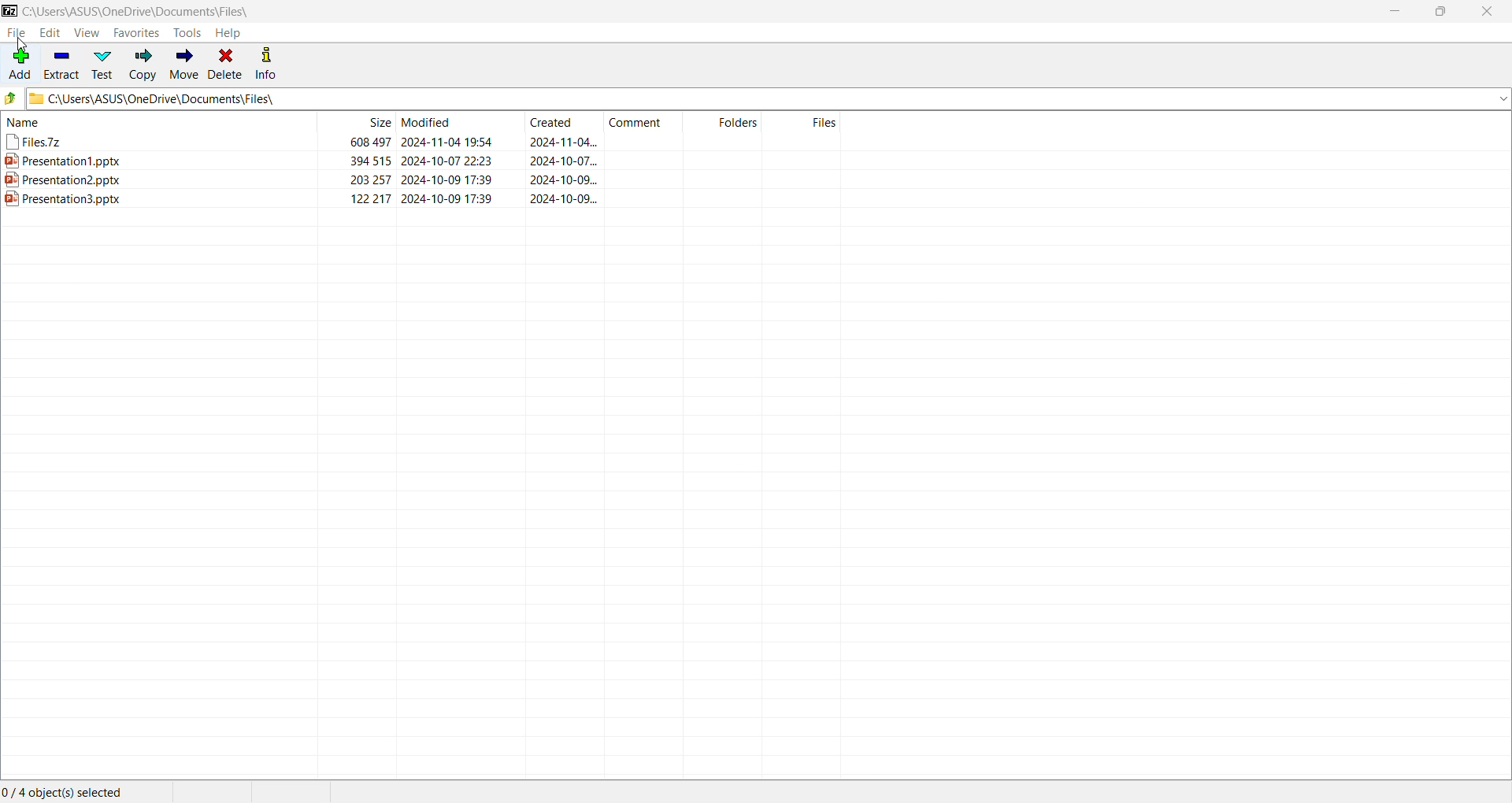  I want to click on 2024-11-04 19:54, so click(446, 142).